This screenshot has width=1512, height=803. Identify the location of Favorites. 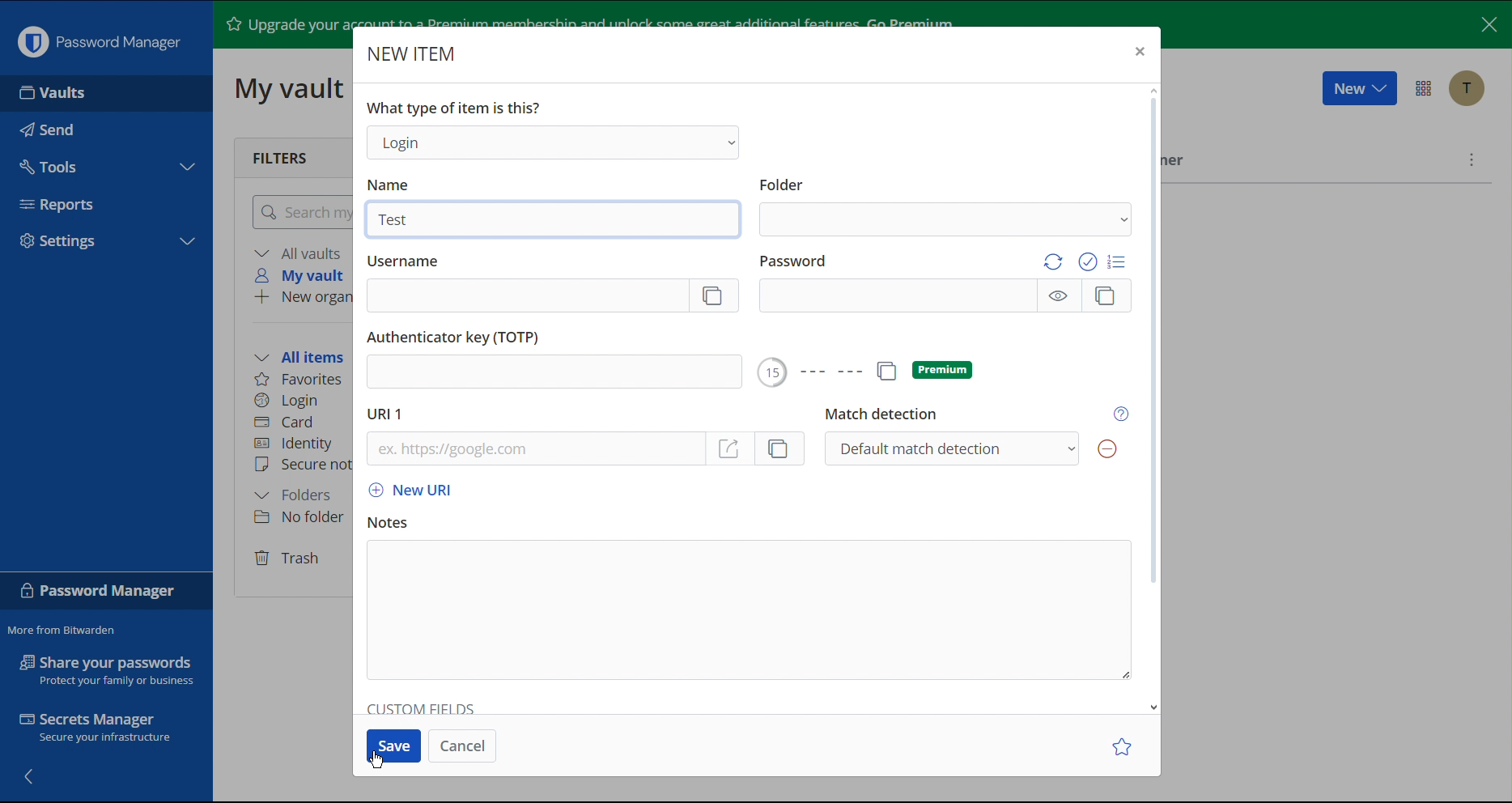
(298, 381).